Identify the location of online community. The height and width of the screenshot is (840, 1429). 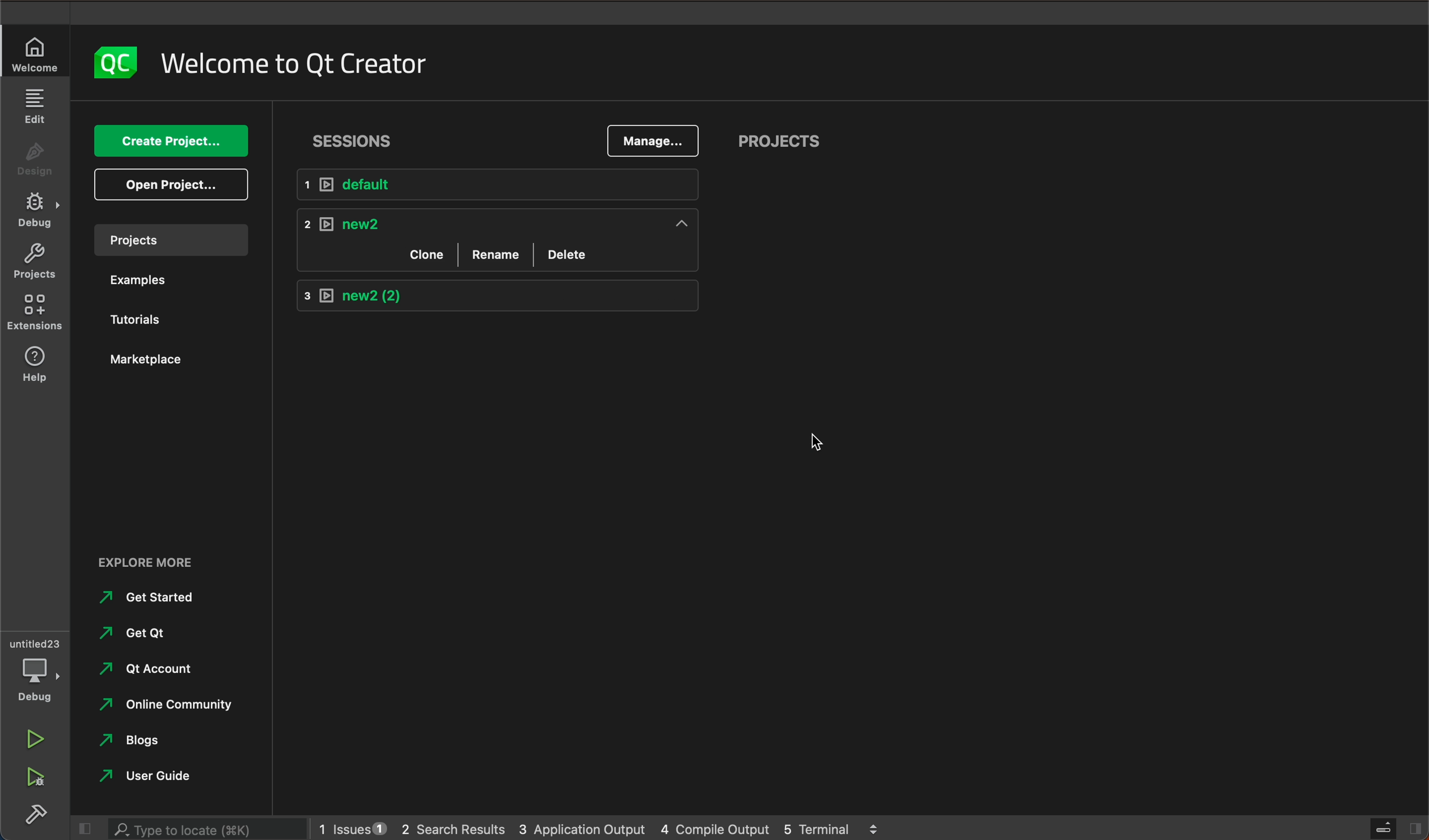
(178, 705).